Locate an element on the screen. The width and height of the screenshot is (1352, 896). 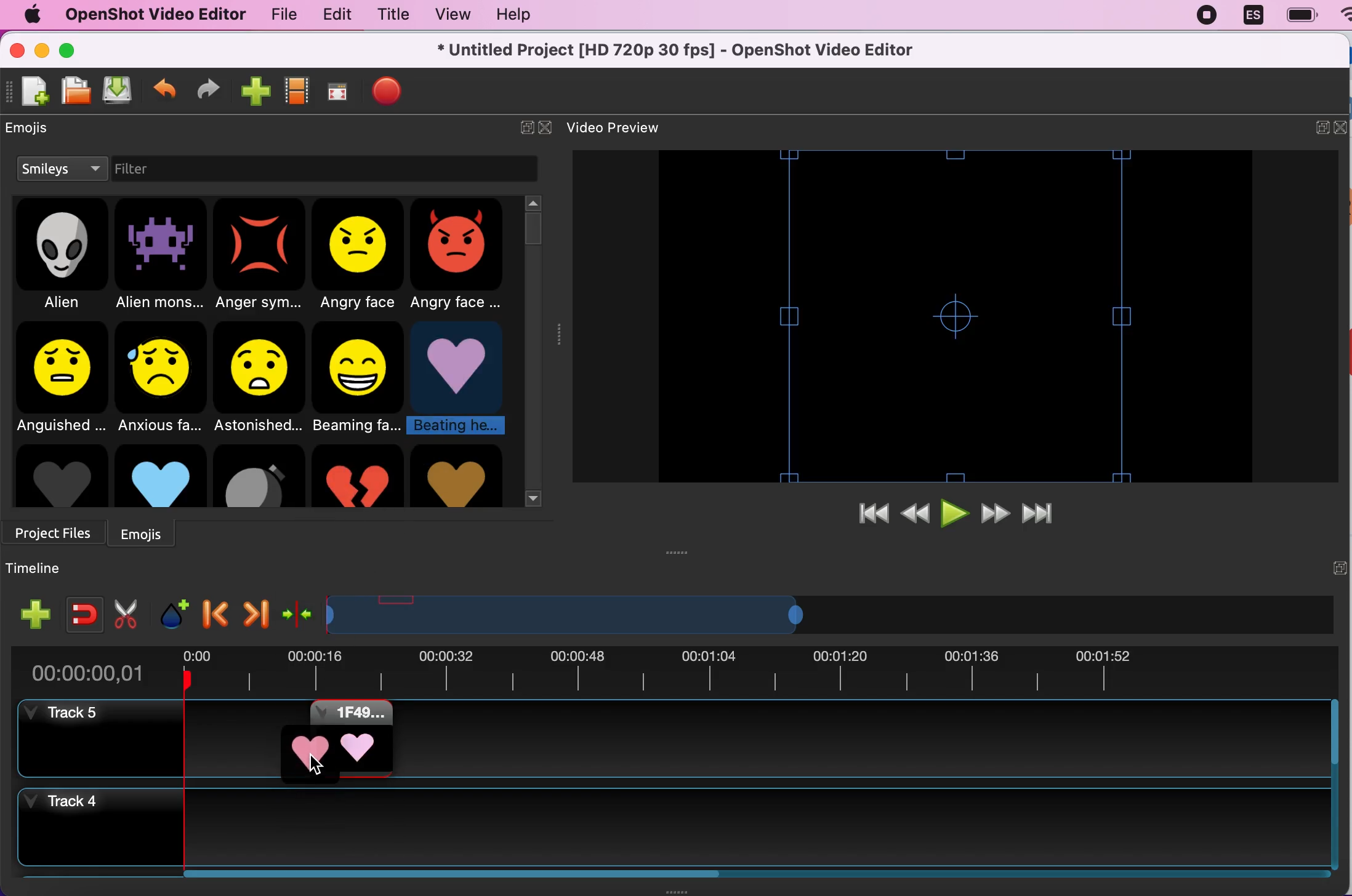
expand/hide is located at coordinates (1338, 567).